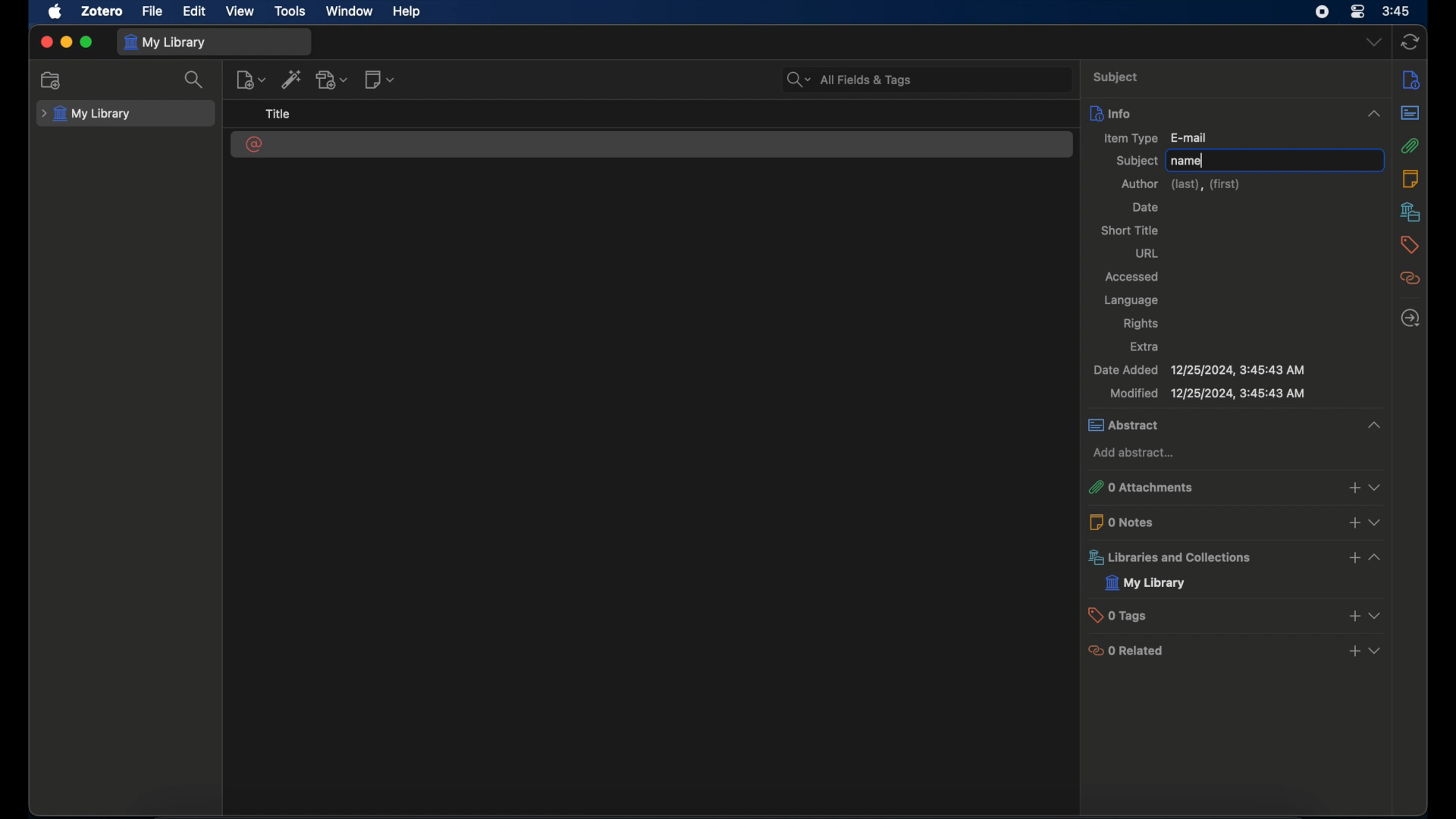  What do you see at coordinates (195, 80) in the screenshot?
I see `search` at bounding box center [195, 80].